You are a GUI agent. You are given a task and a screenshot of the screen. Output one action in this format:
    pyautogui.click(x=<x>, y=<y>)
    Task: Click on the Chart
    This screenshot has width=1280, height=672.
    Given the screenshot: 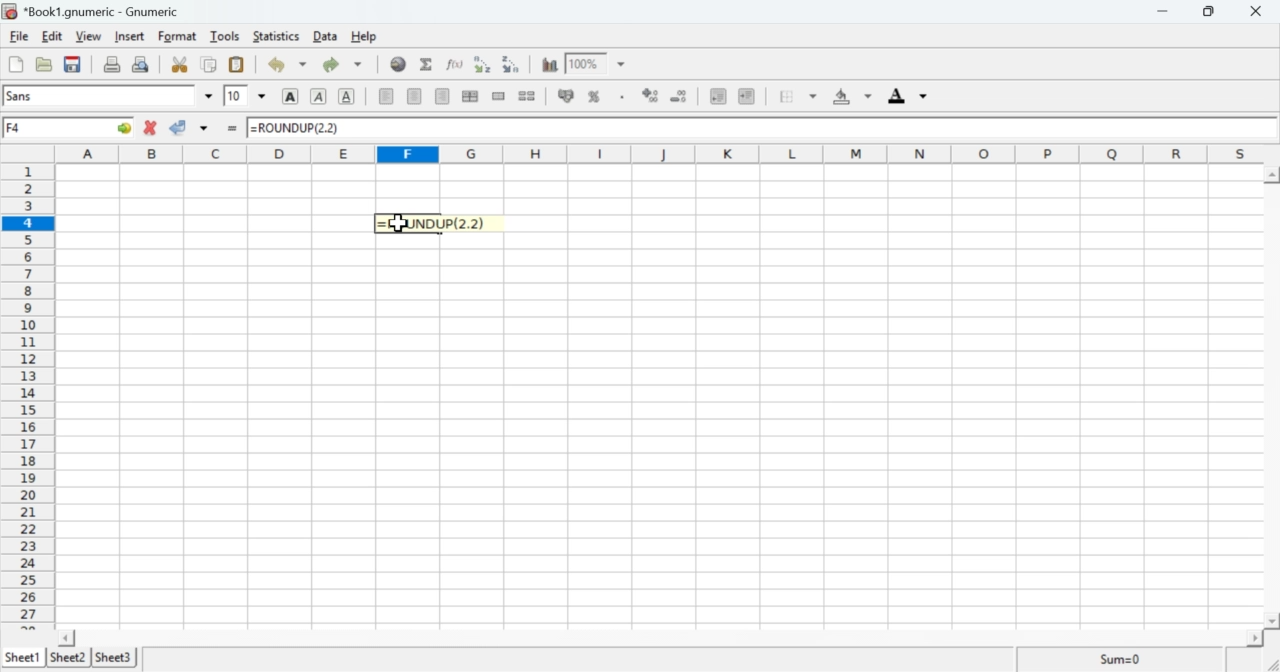 What is the action you would take?
    pyautogui.click(x=547, y=64)
    